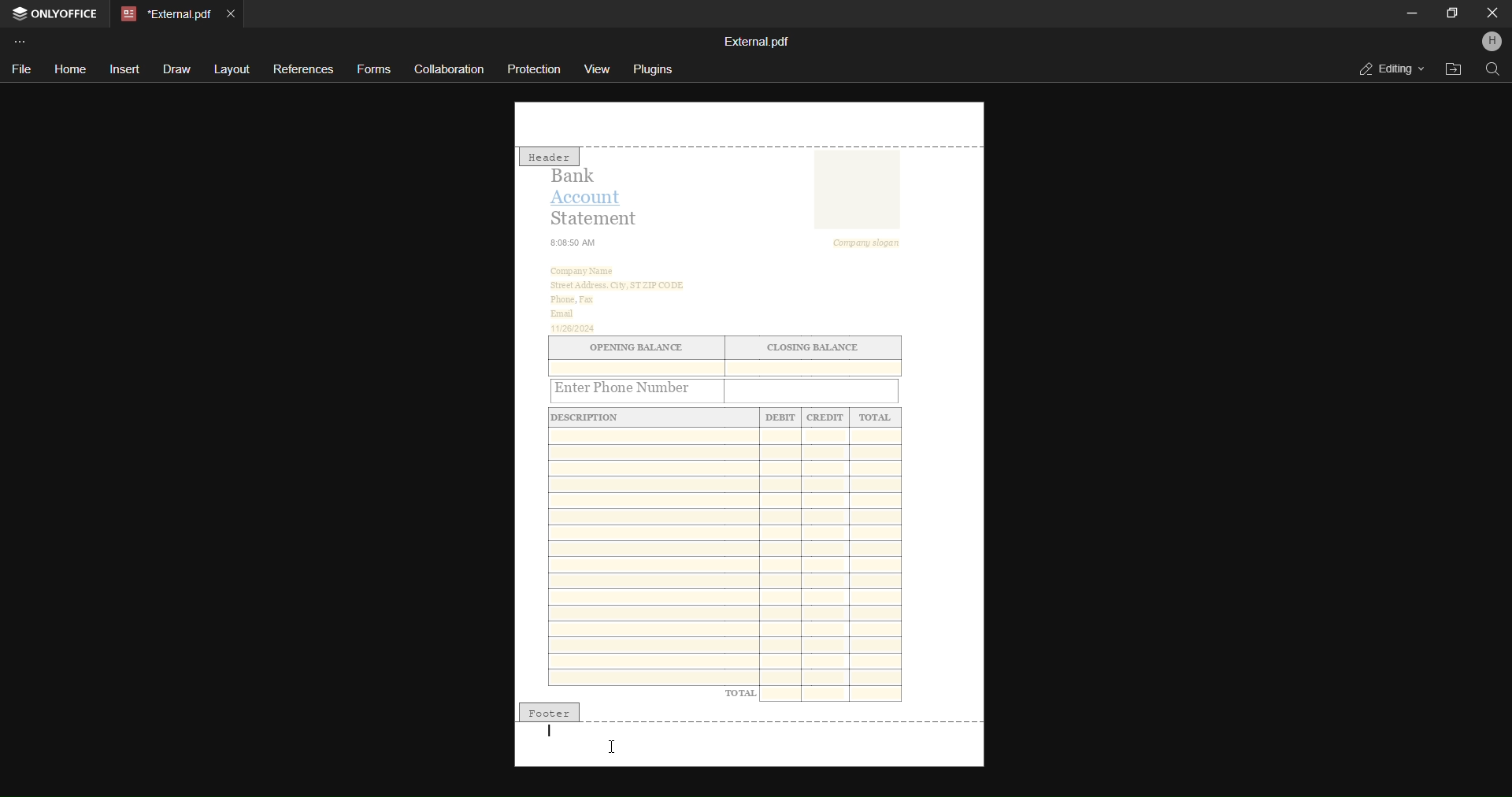 The image size is (1512, 797). What do you see at coordinates (592, 196) in the screenshot?
I see `Account` at bounding box center [592, 196].